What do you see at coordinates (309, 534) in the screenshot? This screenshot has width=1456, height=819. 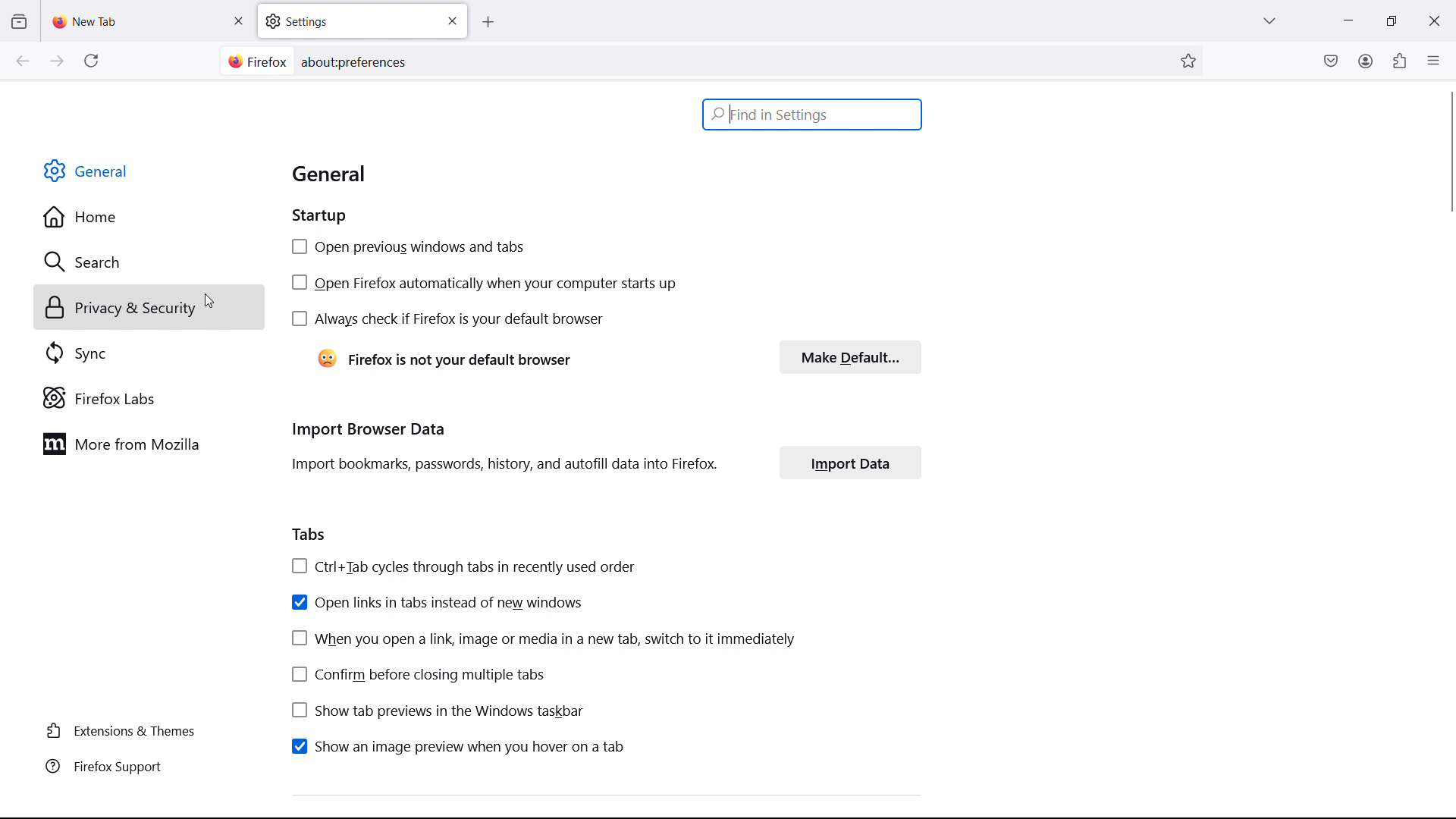 I see `tabs` at bounding box center [309, 534].